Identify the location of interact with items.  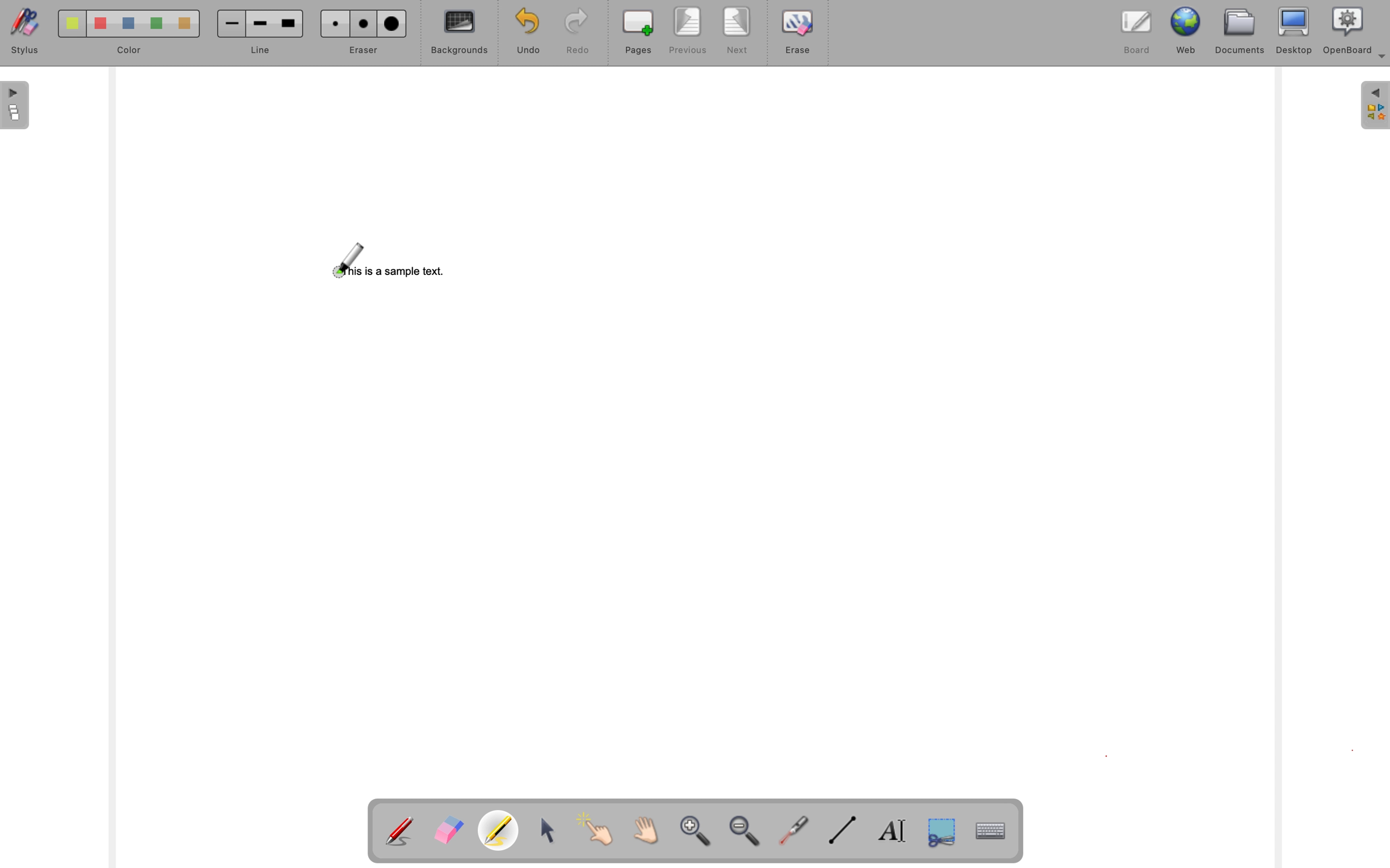
(603, 828).